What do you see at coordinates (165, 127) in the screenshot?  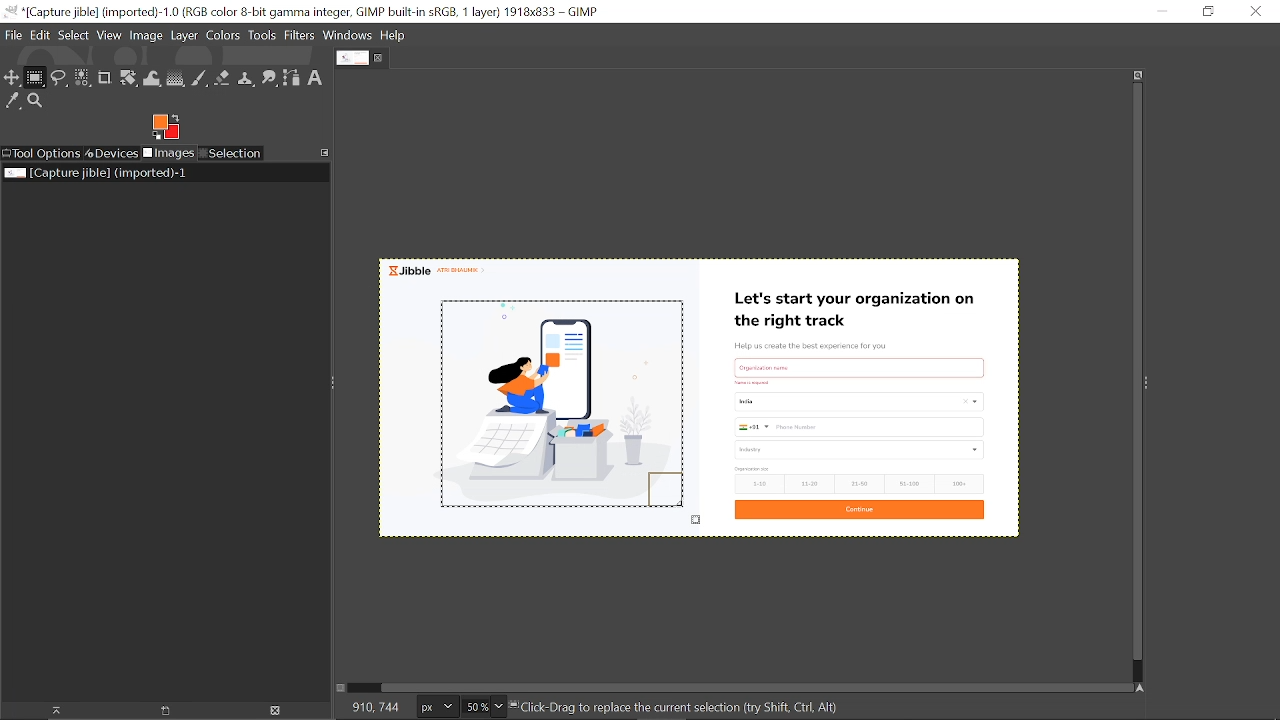 I see `Foreground tool` at bounding box center [165, 127].